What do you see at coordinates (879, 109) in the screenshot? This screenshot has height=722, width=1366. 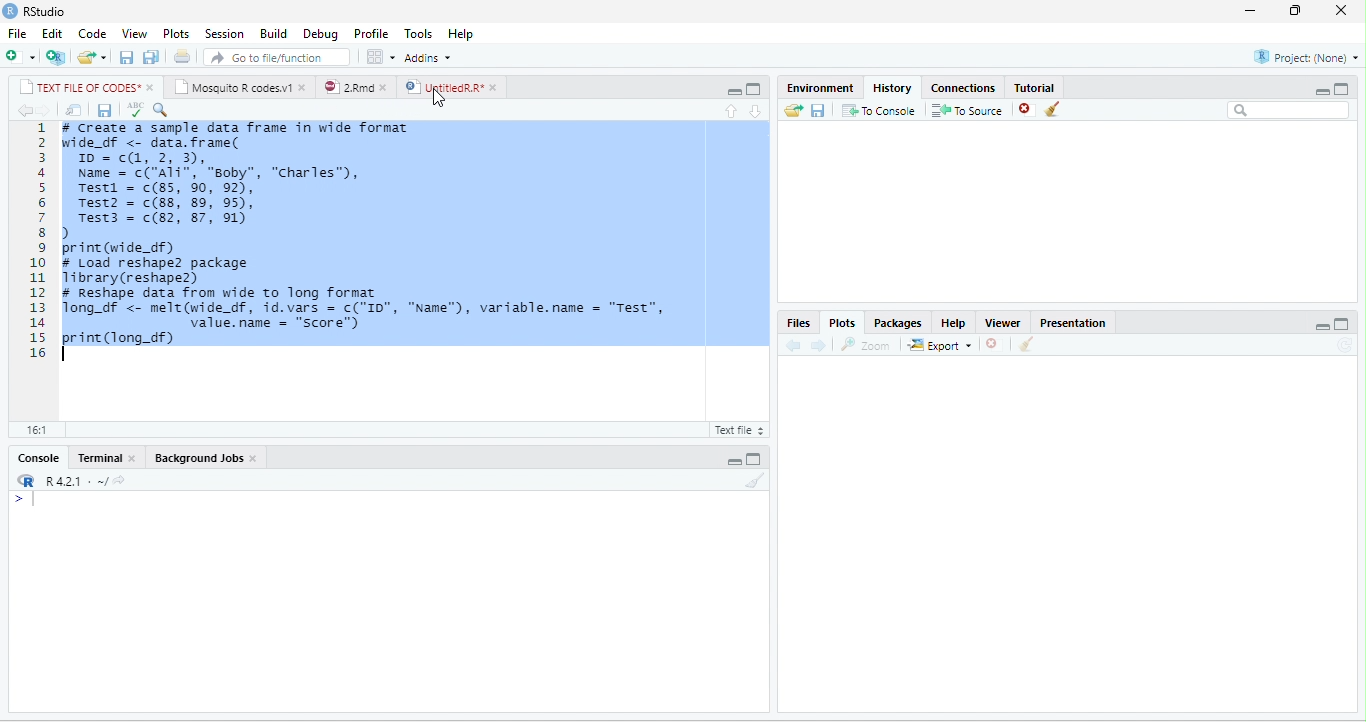 I see `To Console` at bounding box center [879, 109].